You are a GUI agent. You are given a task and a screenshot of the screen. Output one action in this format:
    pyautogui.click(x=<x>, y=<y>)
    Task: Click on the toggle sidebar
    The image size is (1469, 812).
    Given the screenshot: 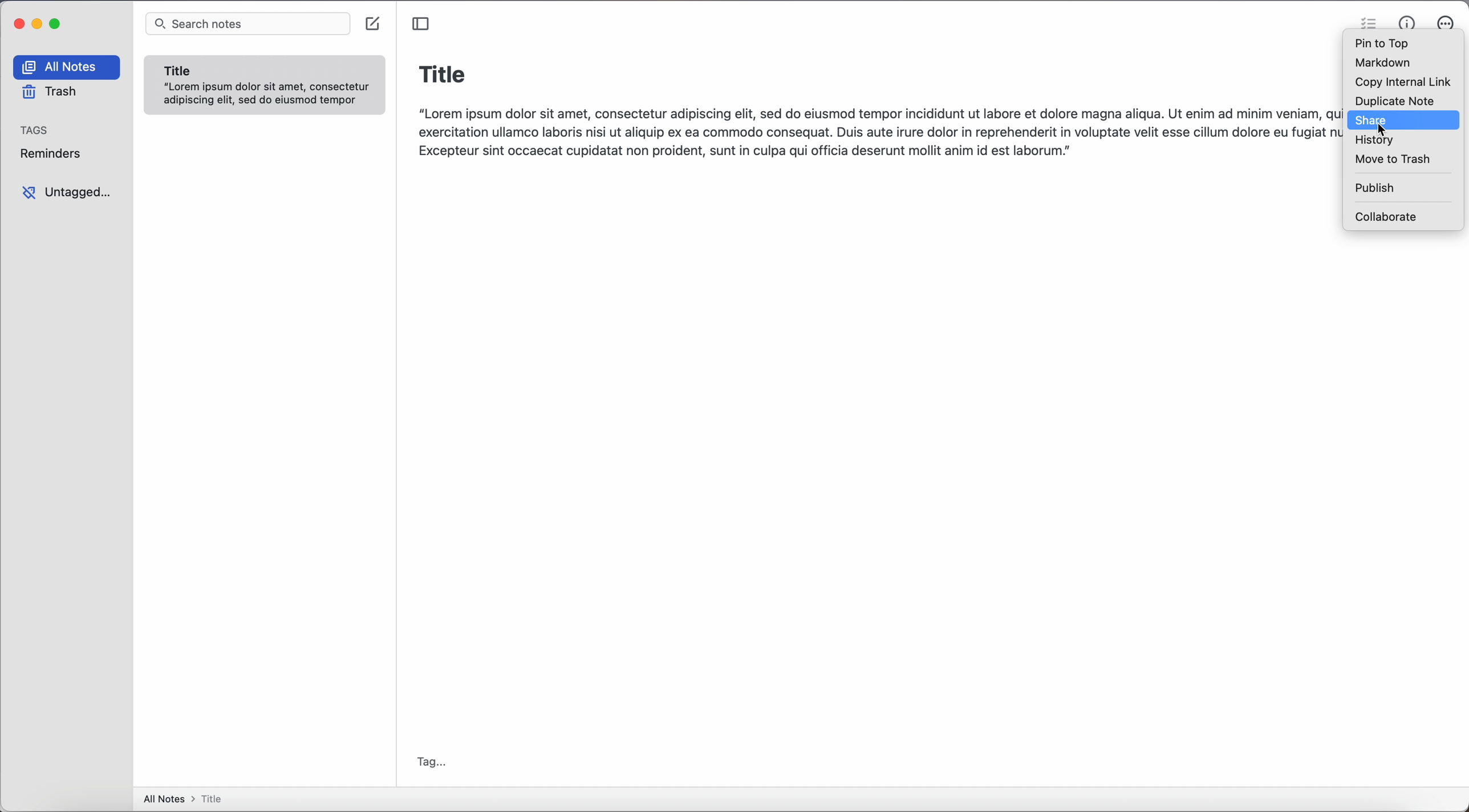 What is the action you would take?
    pyautogui.click(x=420, y=23)
    